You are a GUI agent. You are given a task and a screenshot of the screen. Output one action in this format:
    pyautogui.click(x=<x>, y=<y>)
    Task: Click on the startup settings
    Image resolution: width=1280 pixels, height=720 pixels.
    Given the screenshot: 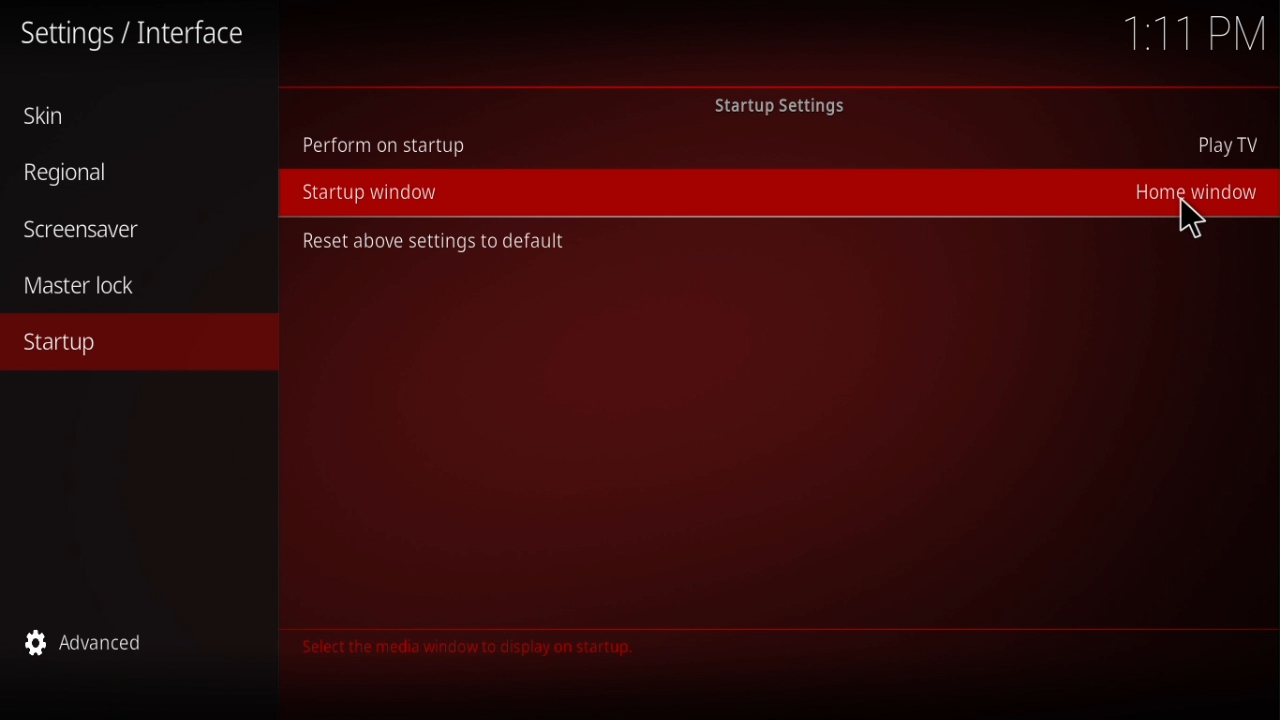 What is the action you would take?
    pyautogui.click(x=788, y=106)
    